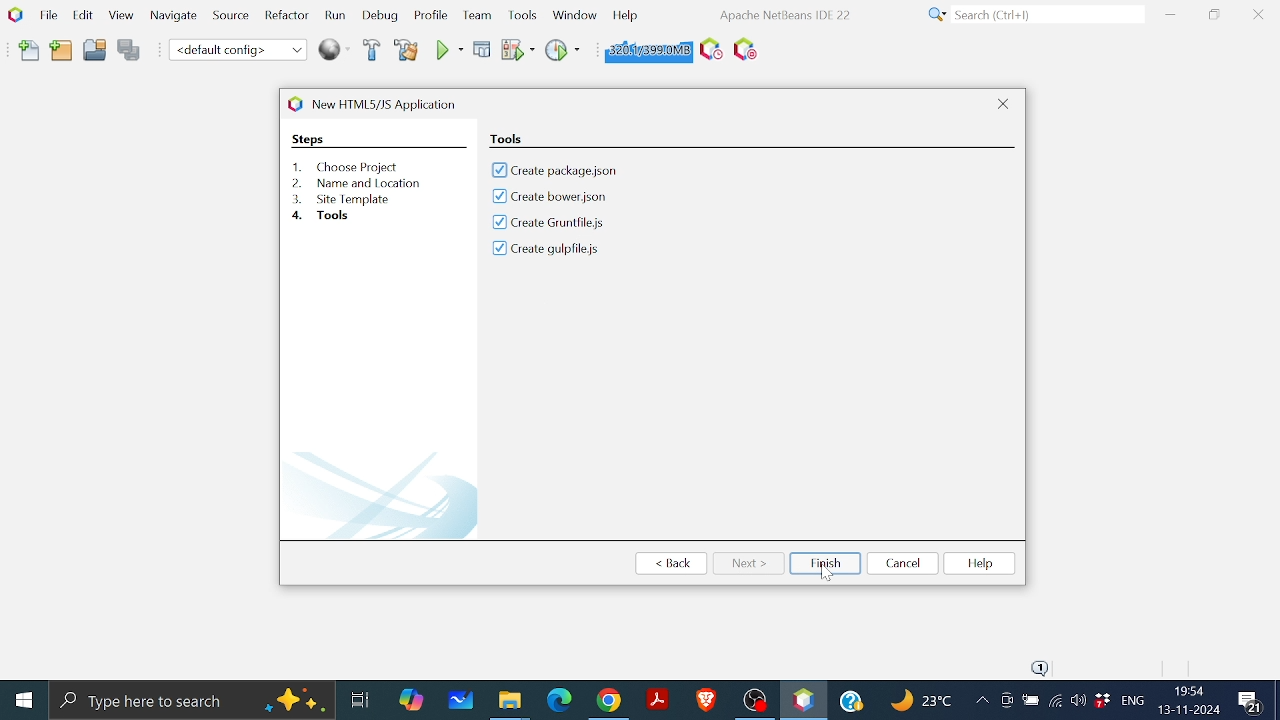 Image resolution: width=1280 pixels, height=720 pixels. What do you see at coordinates (749, 562) in the screenshot?
I see `Next` at bounding box center [749, 562].